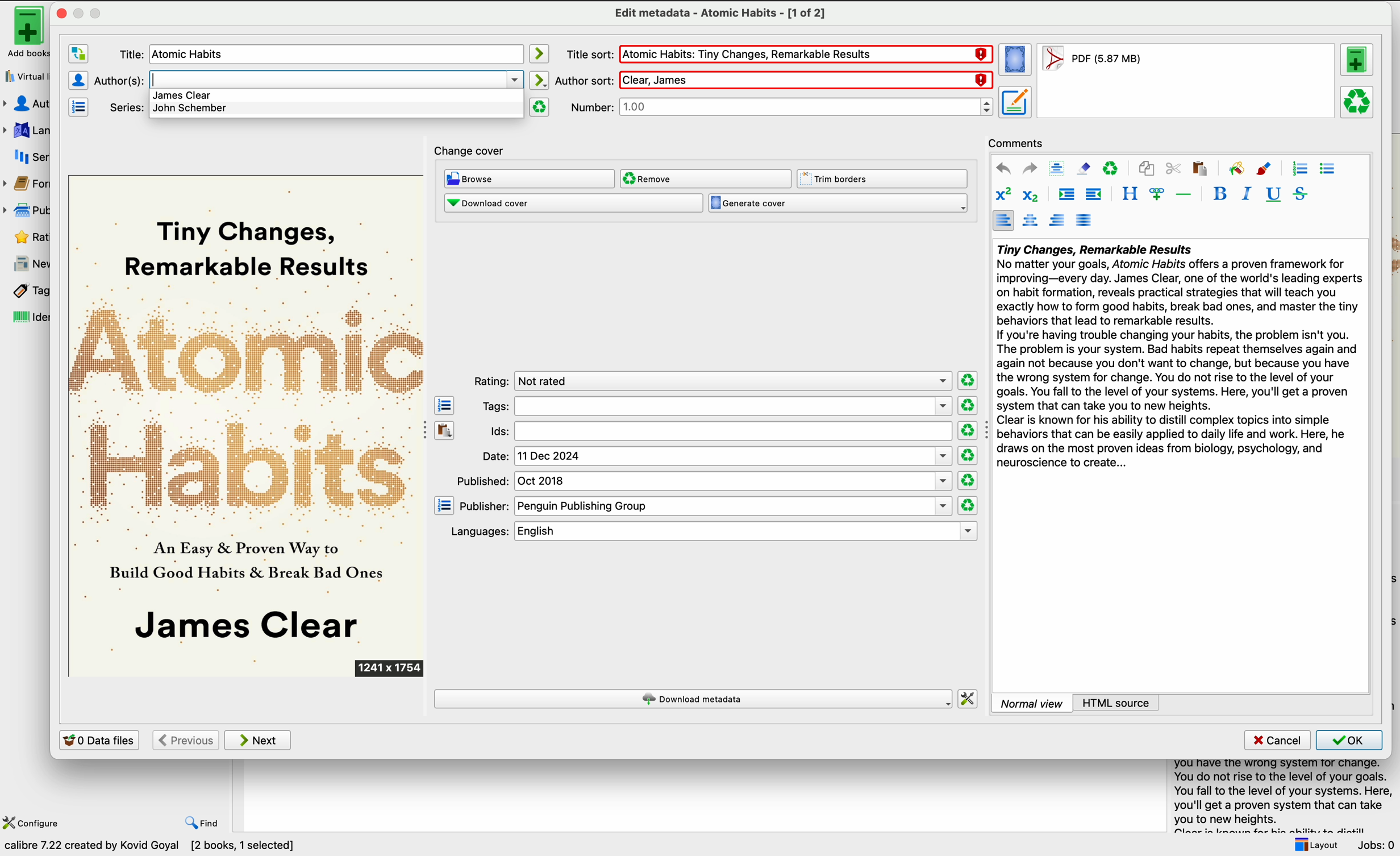  I want to click on copy, so click(1148, 167).